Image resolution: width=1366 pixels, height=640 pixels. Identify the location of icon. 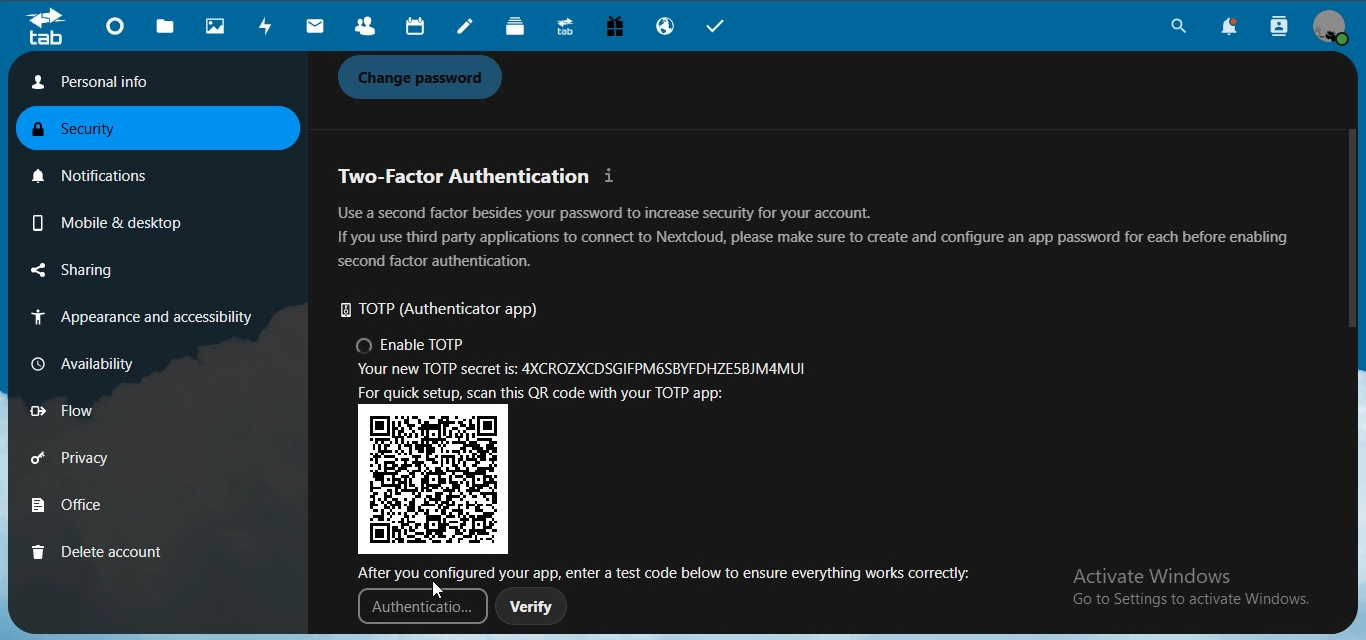
(45, 27).